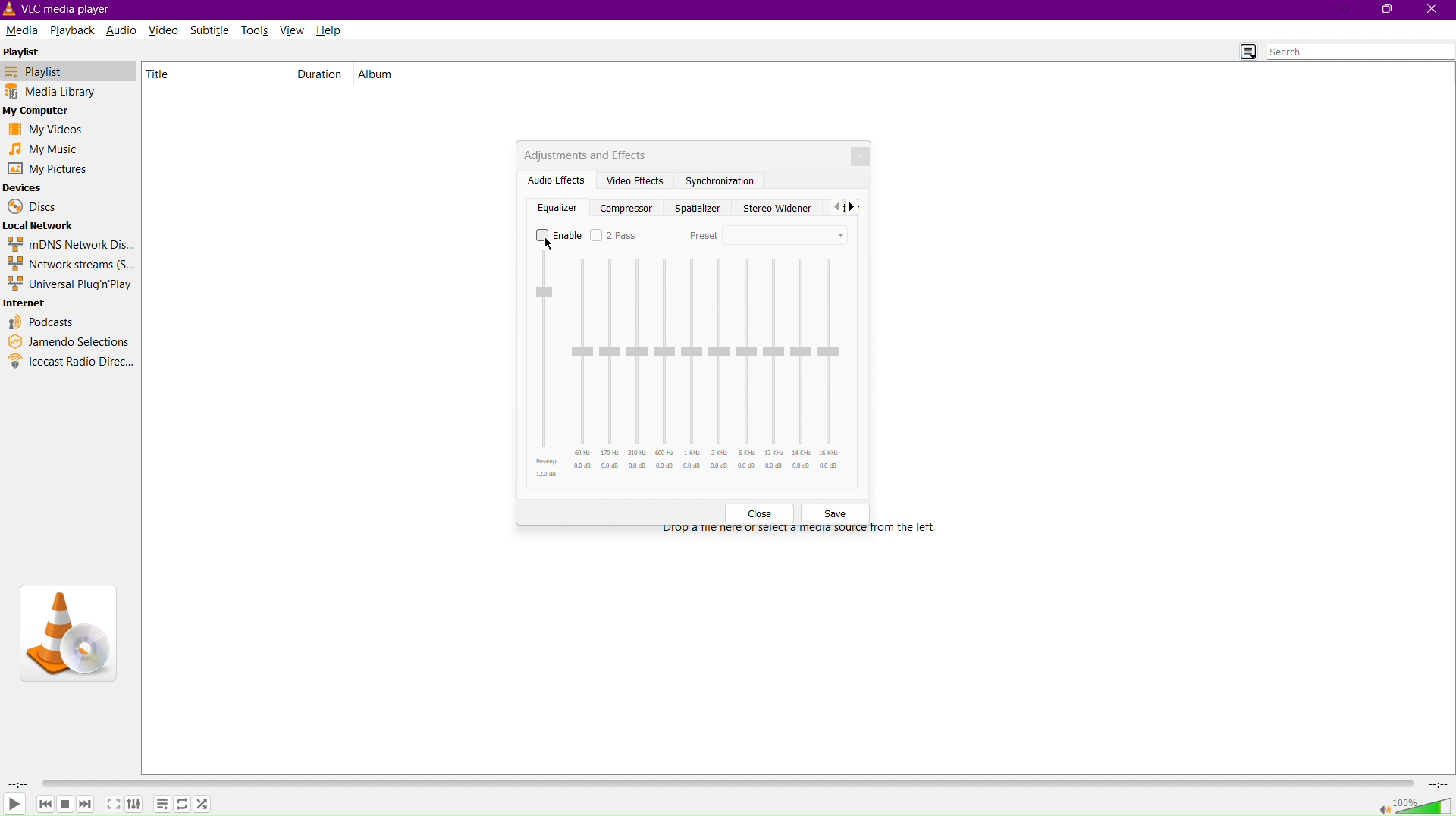 The height and width of the screenshot is (816, 1456). I want to click on 2 Pass, so click(615, 238).